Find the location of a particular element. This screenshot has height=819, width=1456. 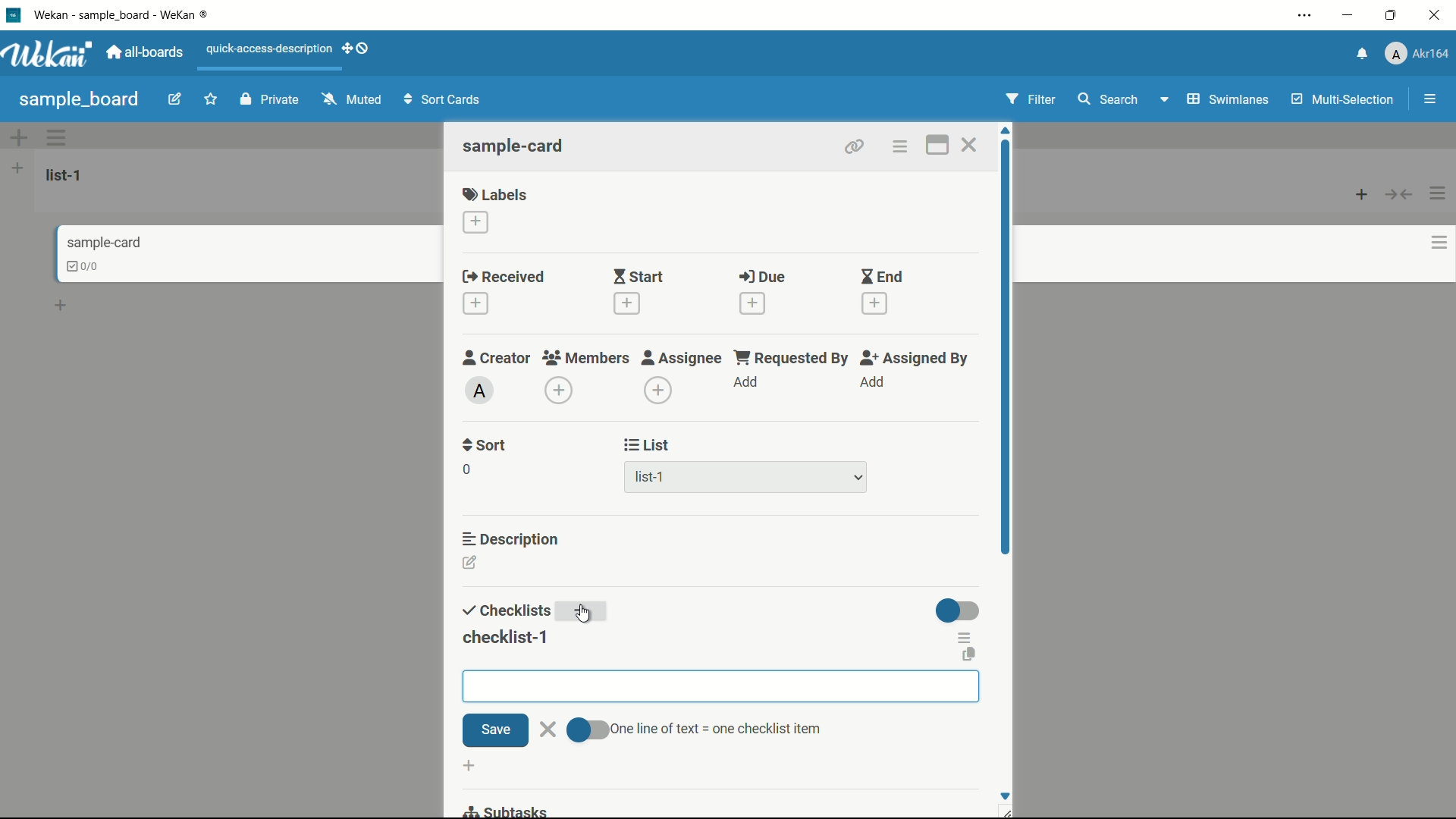

end is located at coordinates (881, 278).